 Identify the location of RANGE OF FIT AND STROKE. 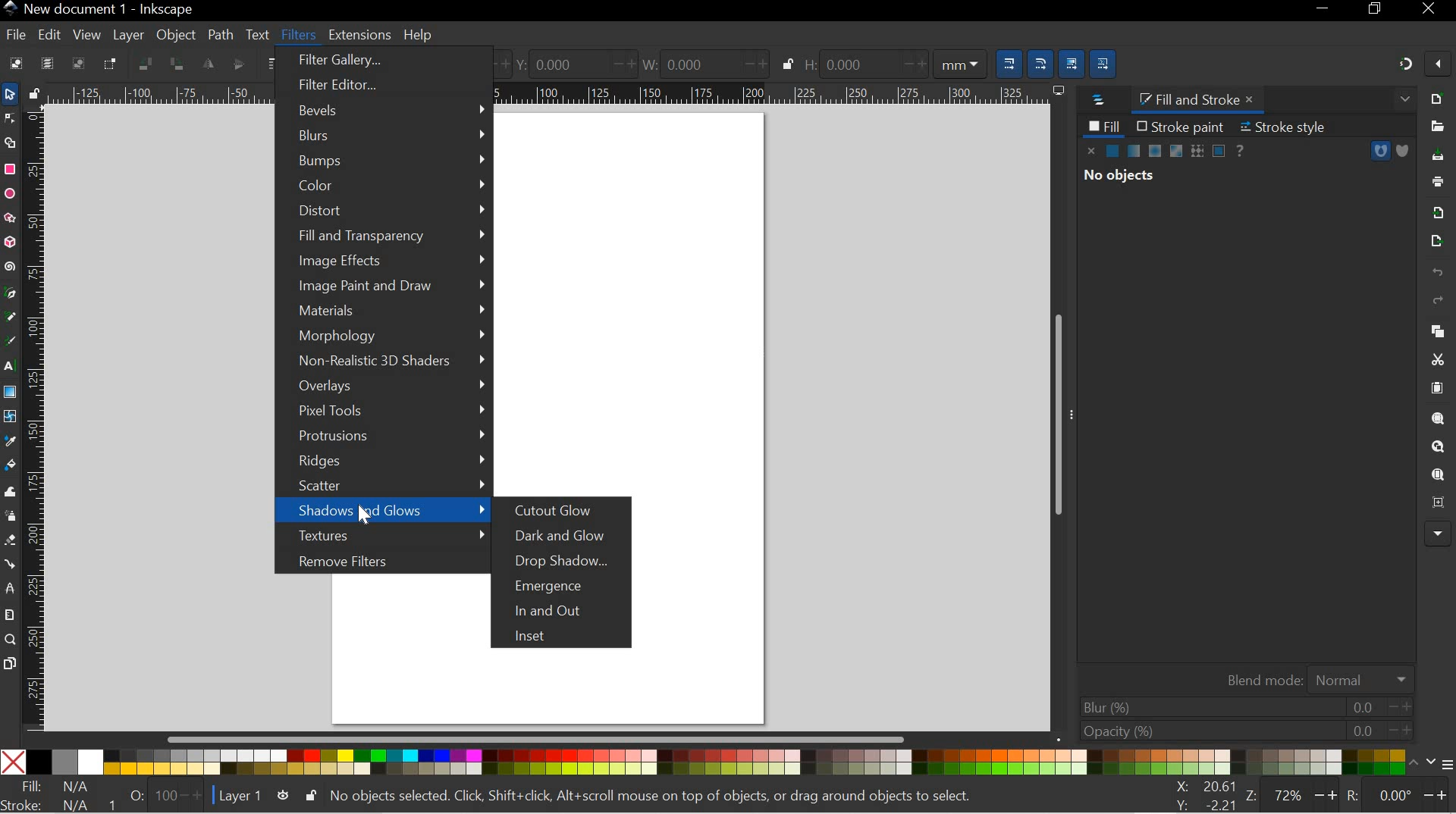
(160, 795).